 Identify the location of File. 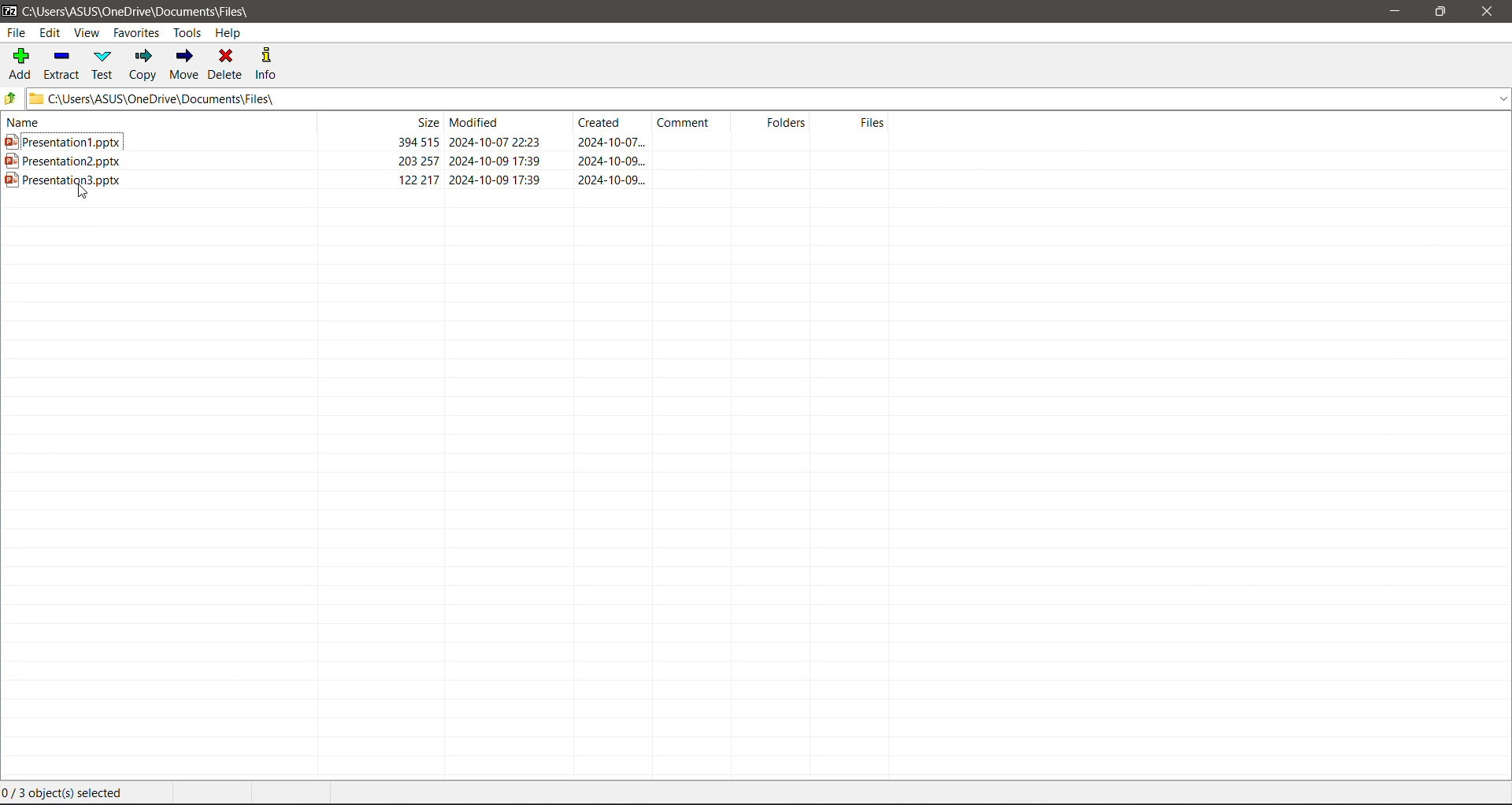
(17, 32).